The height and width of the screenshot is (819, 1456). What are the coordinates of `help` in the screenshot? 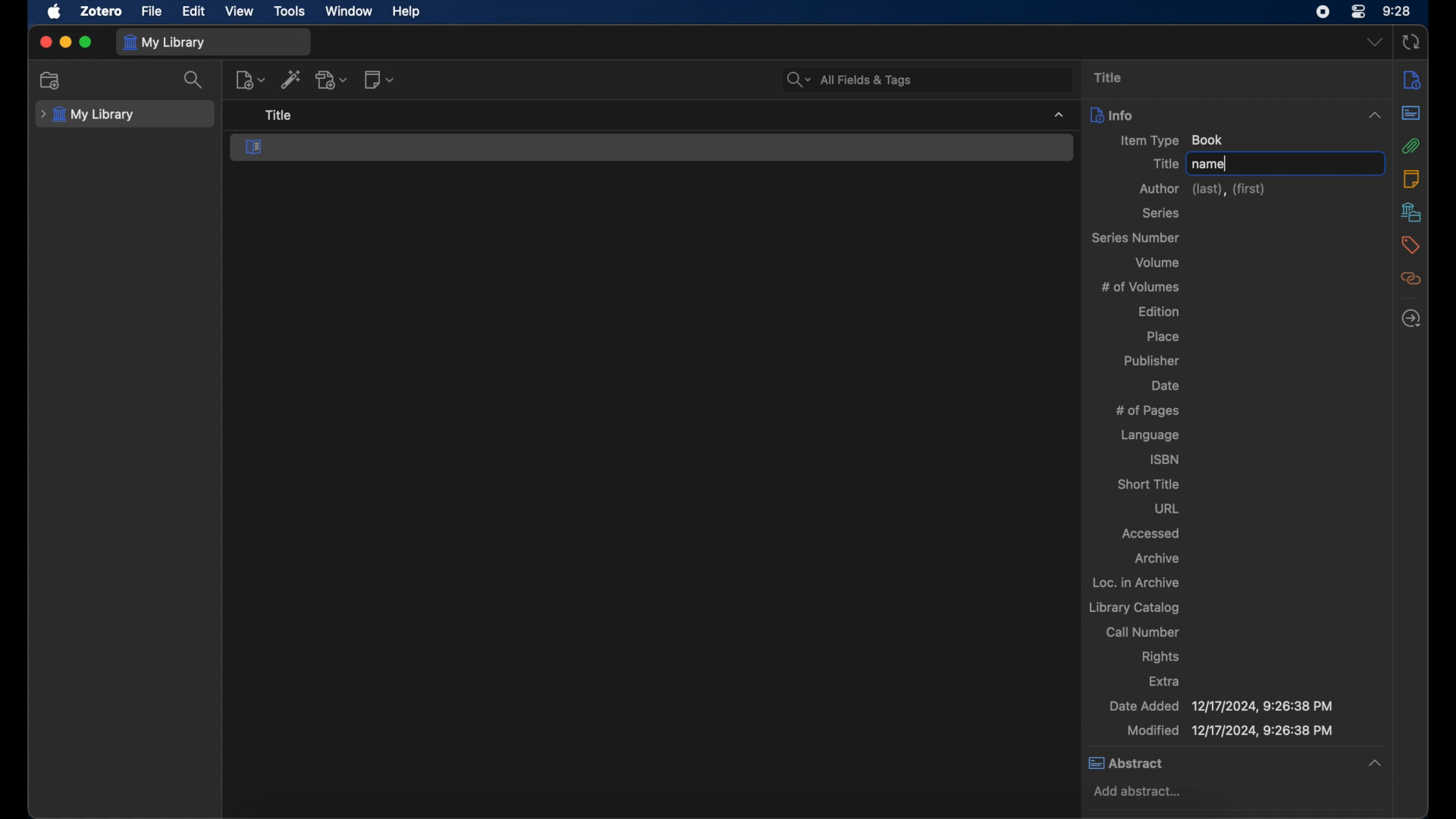 It's located at (406, 11).